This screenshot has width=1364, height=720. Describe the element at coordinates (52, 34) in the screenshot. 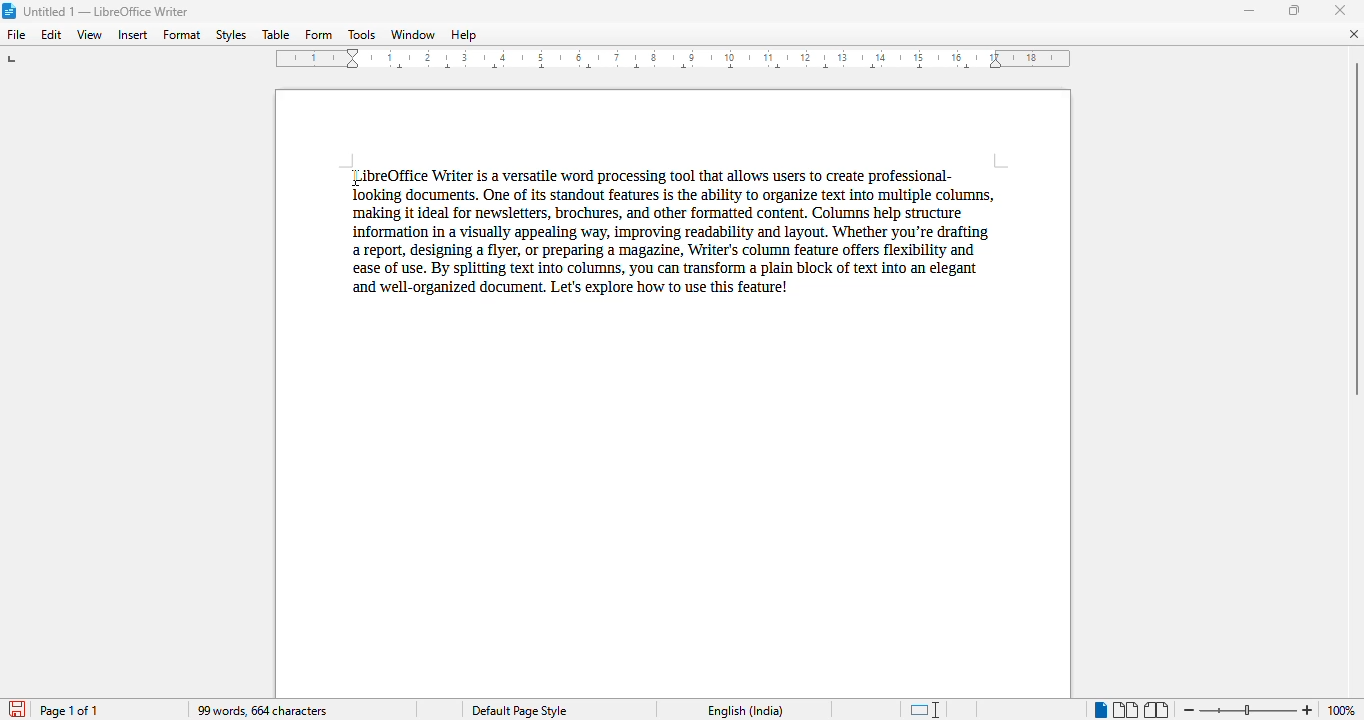

I see `edit` at that location.